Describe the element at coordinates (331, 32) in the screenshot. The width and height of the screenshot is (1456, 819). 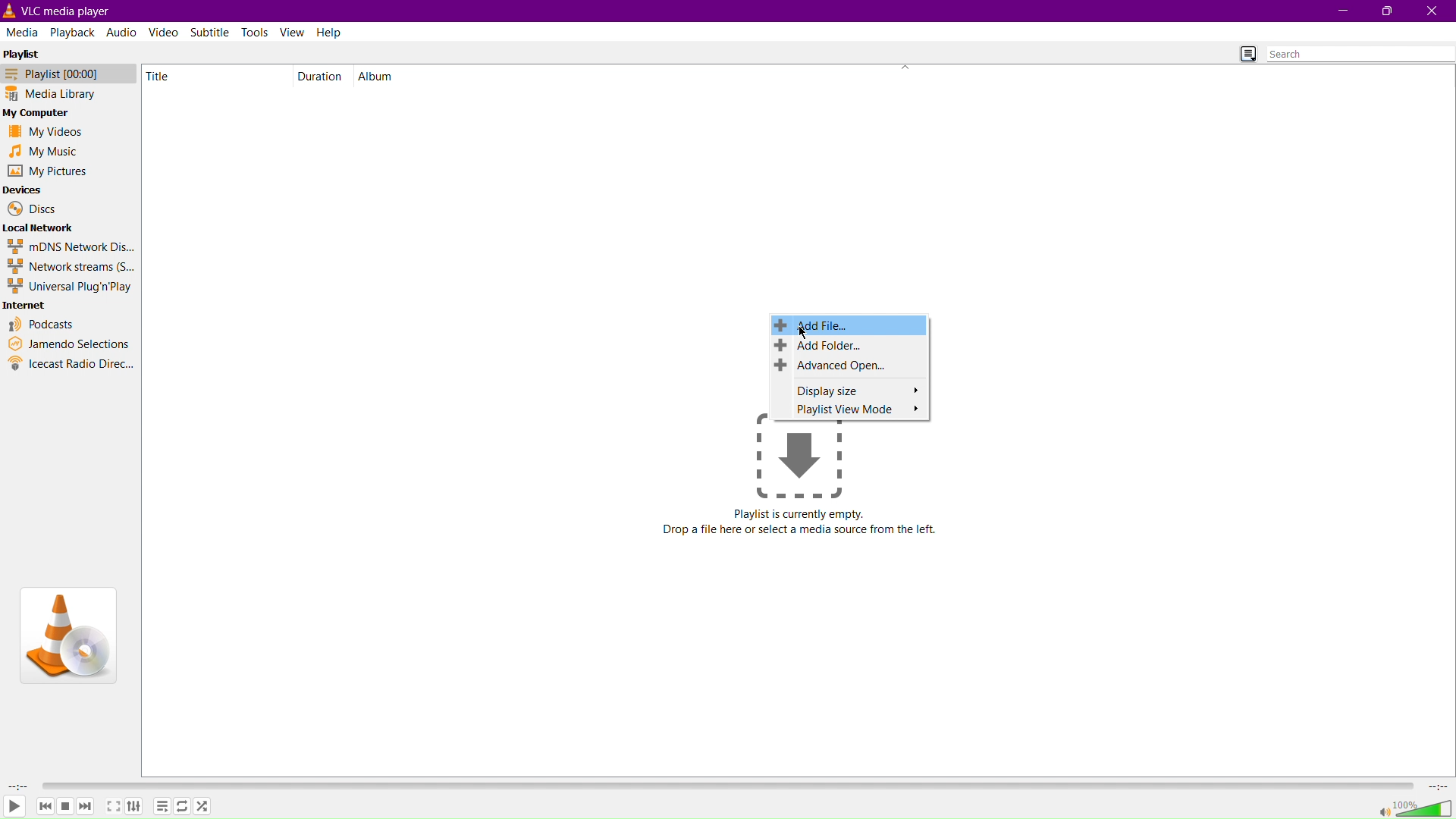
I see `Help` at that location.